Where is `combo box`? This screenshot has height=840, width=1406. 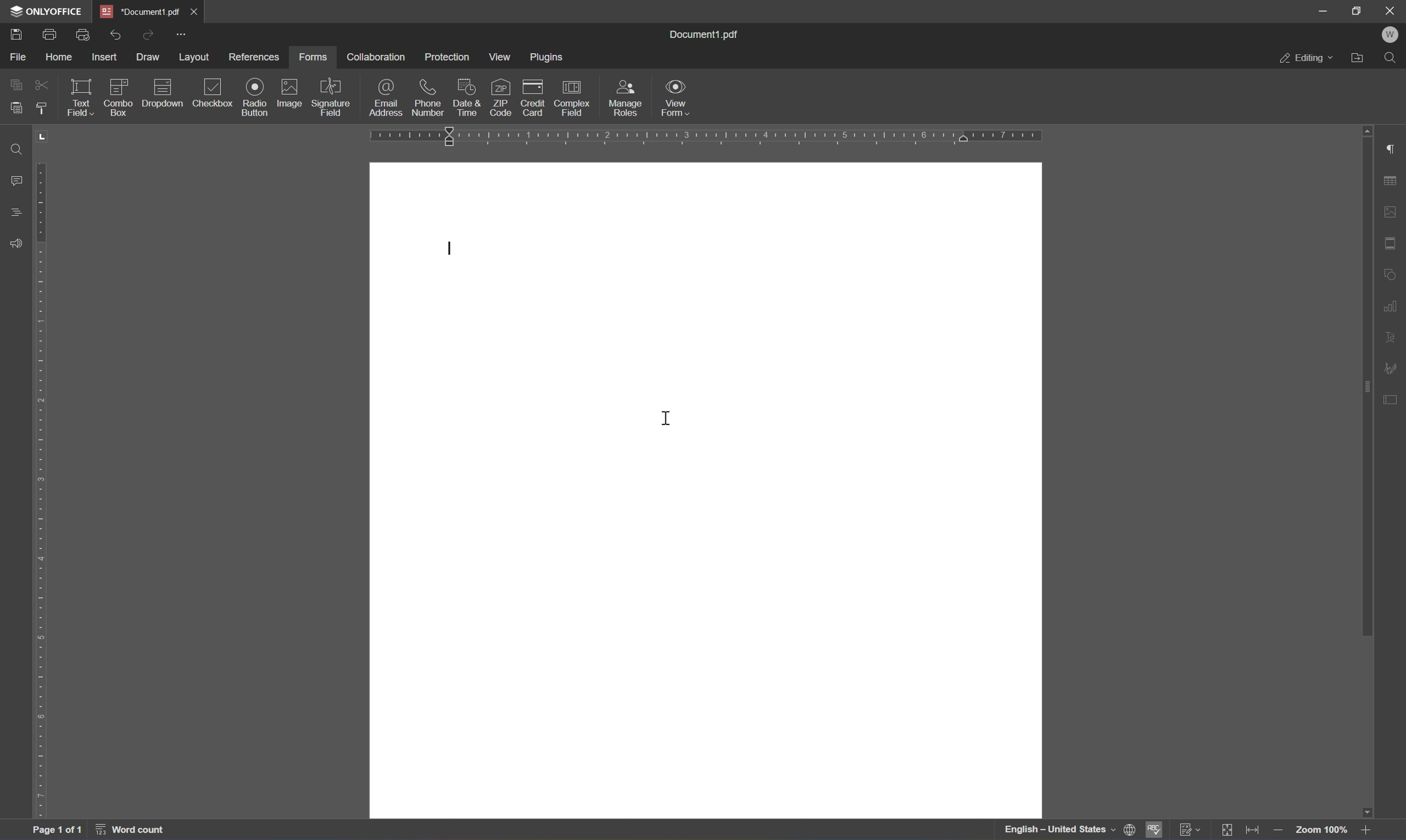
combo box is located at coordinates (119, 98).